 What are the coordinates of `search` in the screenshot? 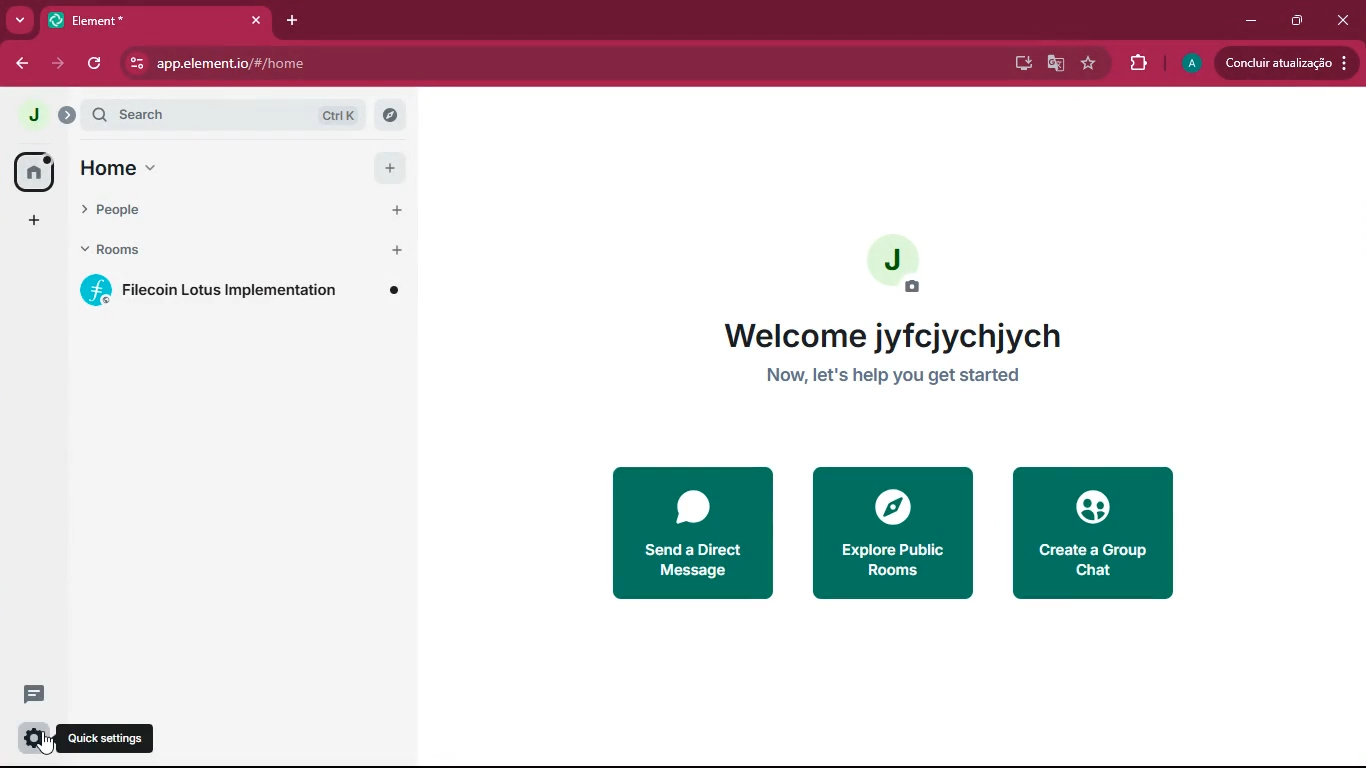 It's located at (240, 114).